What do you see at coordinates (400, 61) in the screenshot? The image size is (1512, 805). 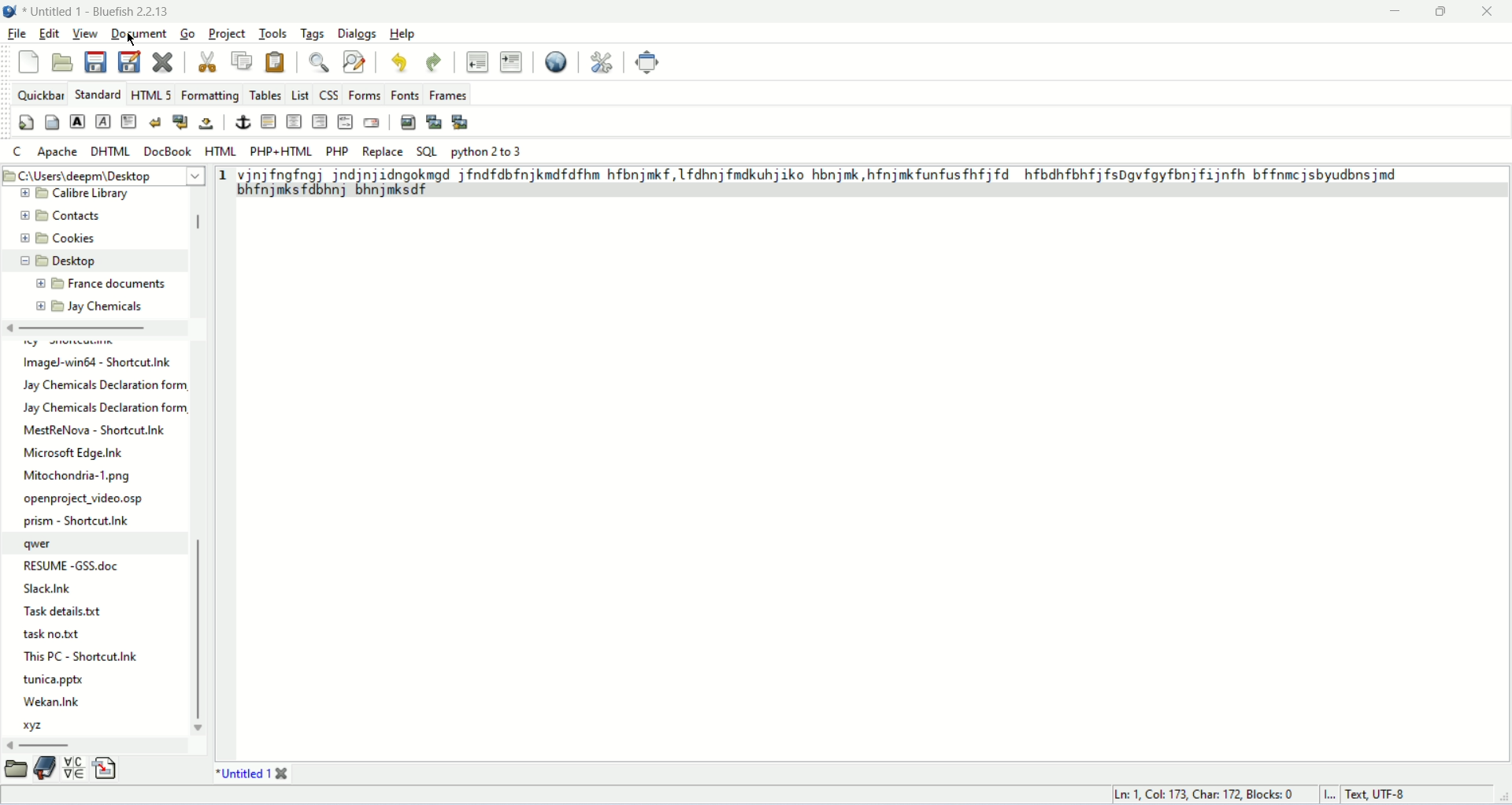 I see `undo` at bounding box center [400, 61].